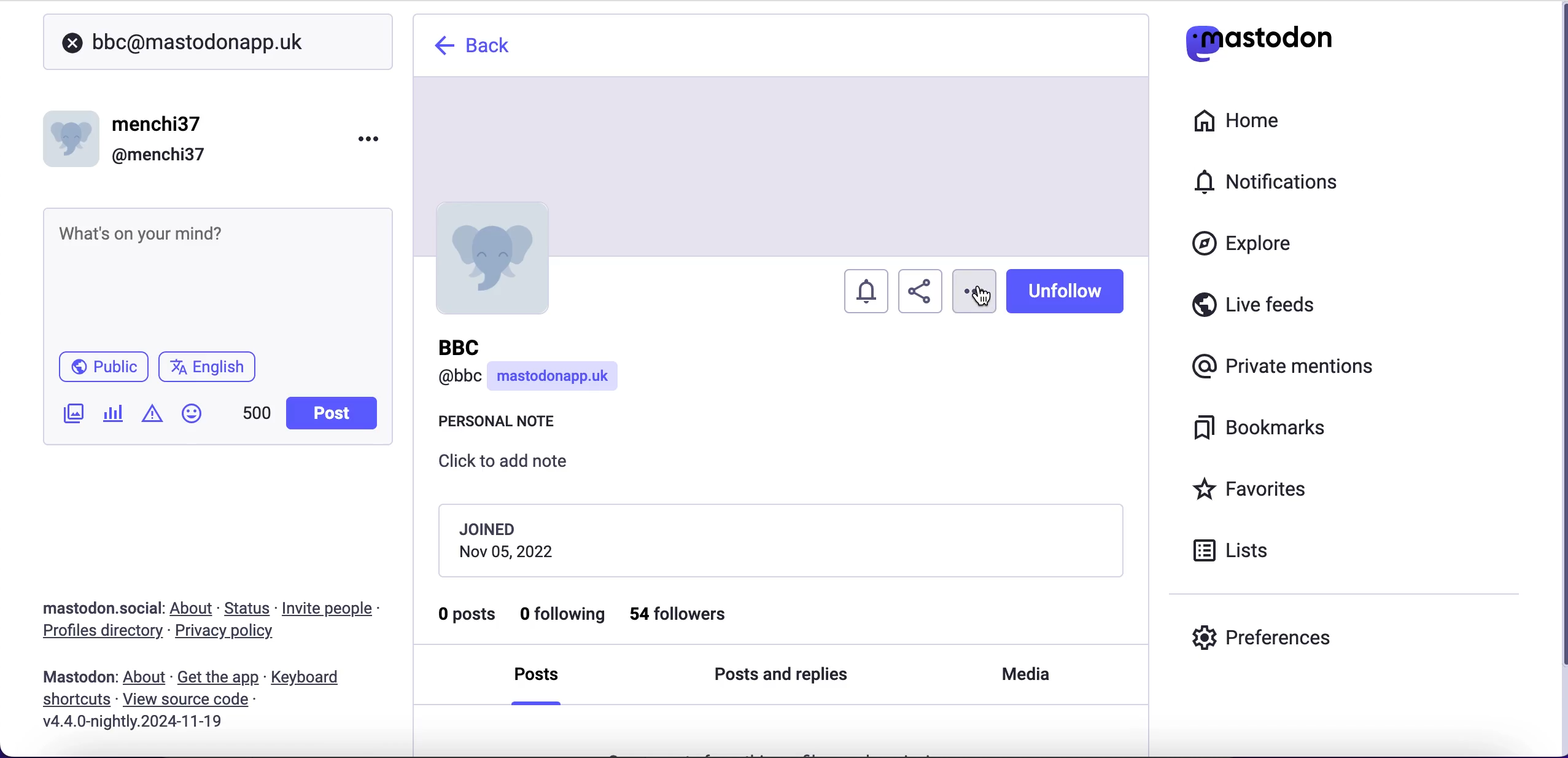  I want to click on about, so click(194, 608).